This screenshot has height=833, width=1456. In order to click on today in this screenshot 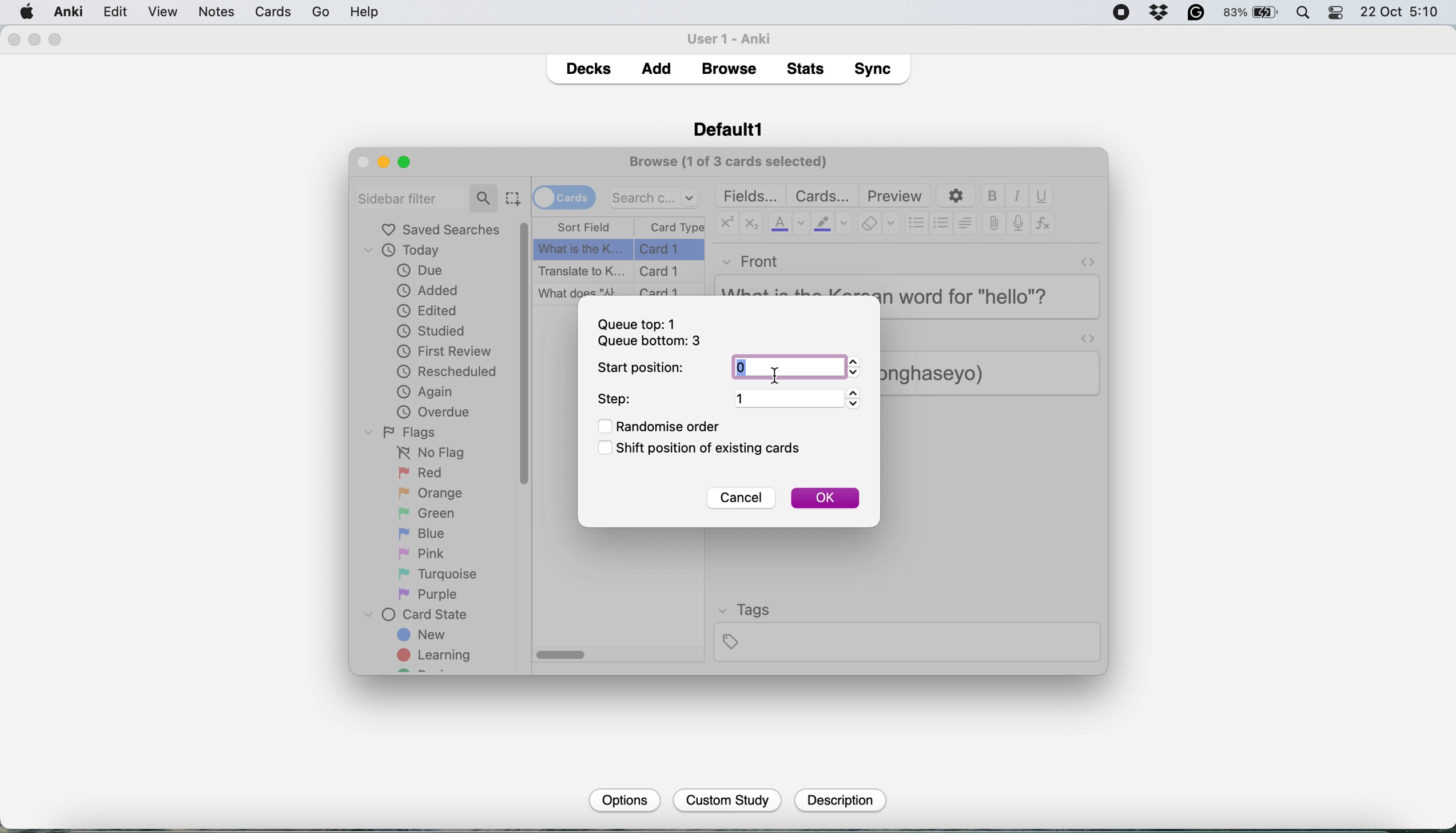, I will do `click(408, 251)`.